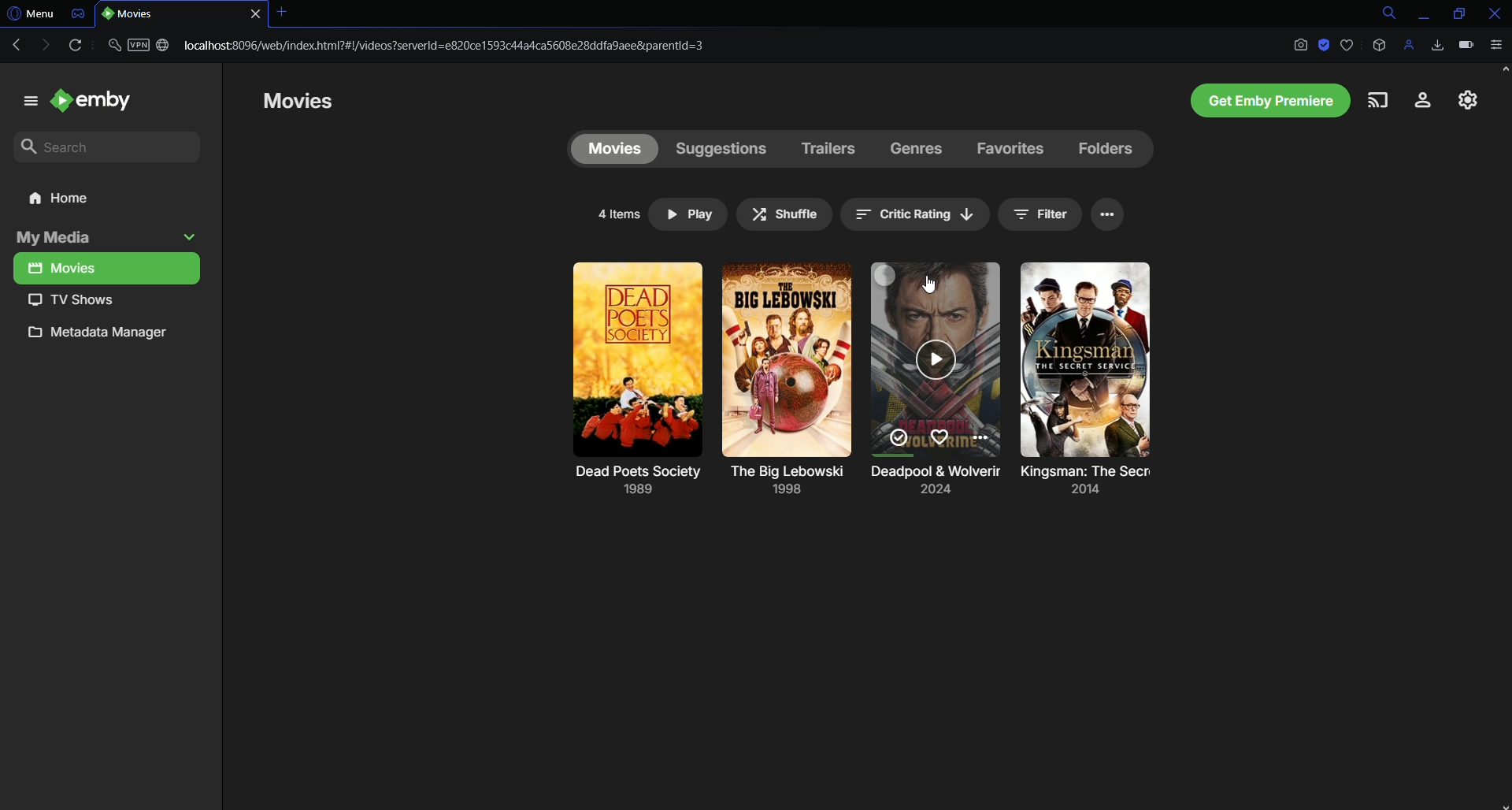 The width and height of the screenshot is (1512, 810). Describe the element at coordinates (24, 100) in the screenshot. I see `menu` at that location.